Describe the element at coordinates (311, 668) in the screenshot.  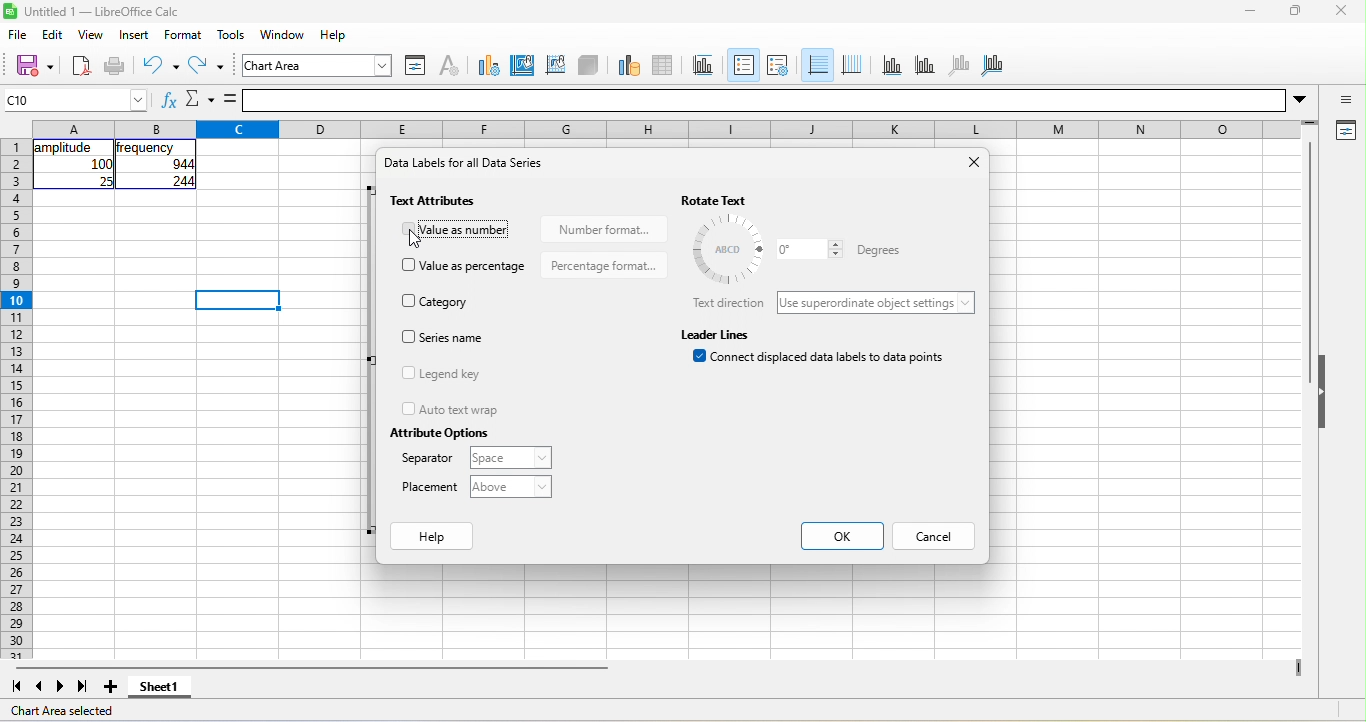
I see `horizontal scroll bar` at that location.